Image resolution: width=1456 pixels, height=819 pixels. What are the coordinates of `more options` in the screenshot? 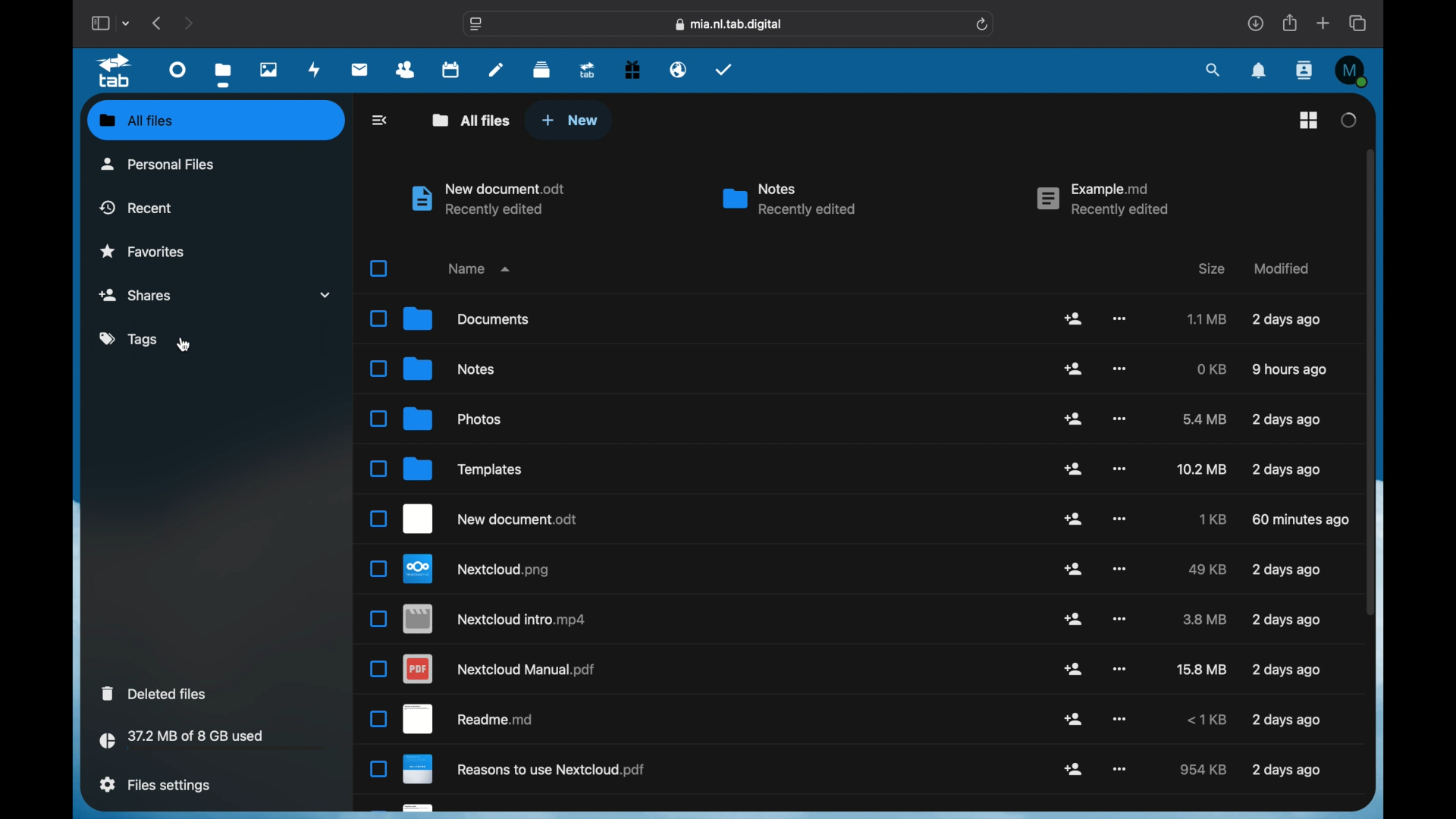 It's located at (1120, 718).